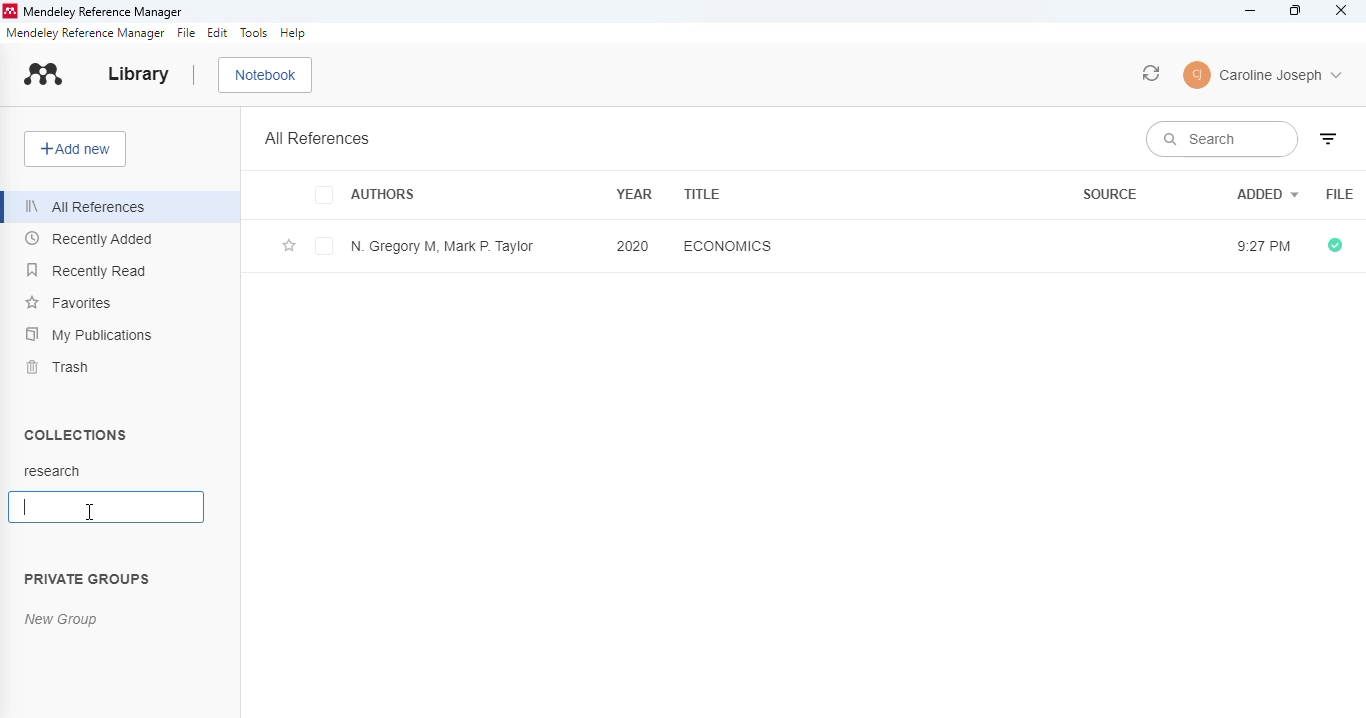  What do you see at coordinates (266, 76) in the screenshot?
I see `notebook` at bounding box center [266, 76].